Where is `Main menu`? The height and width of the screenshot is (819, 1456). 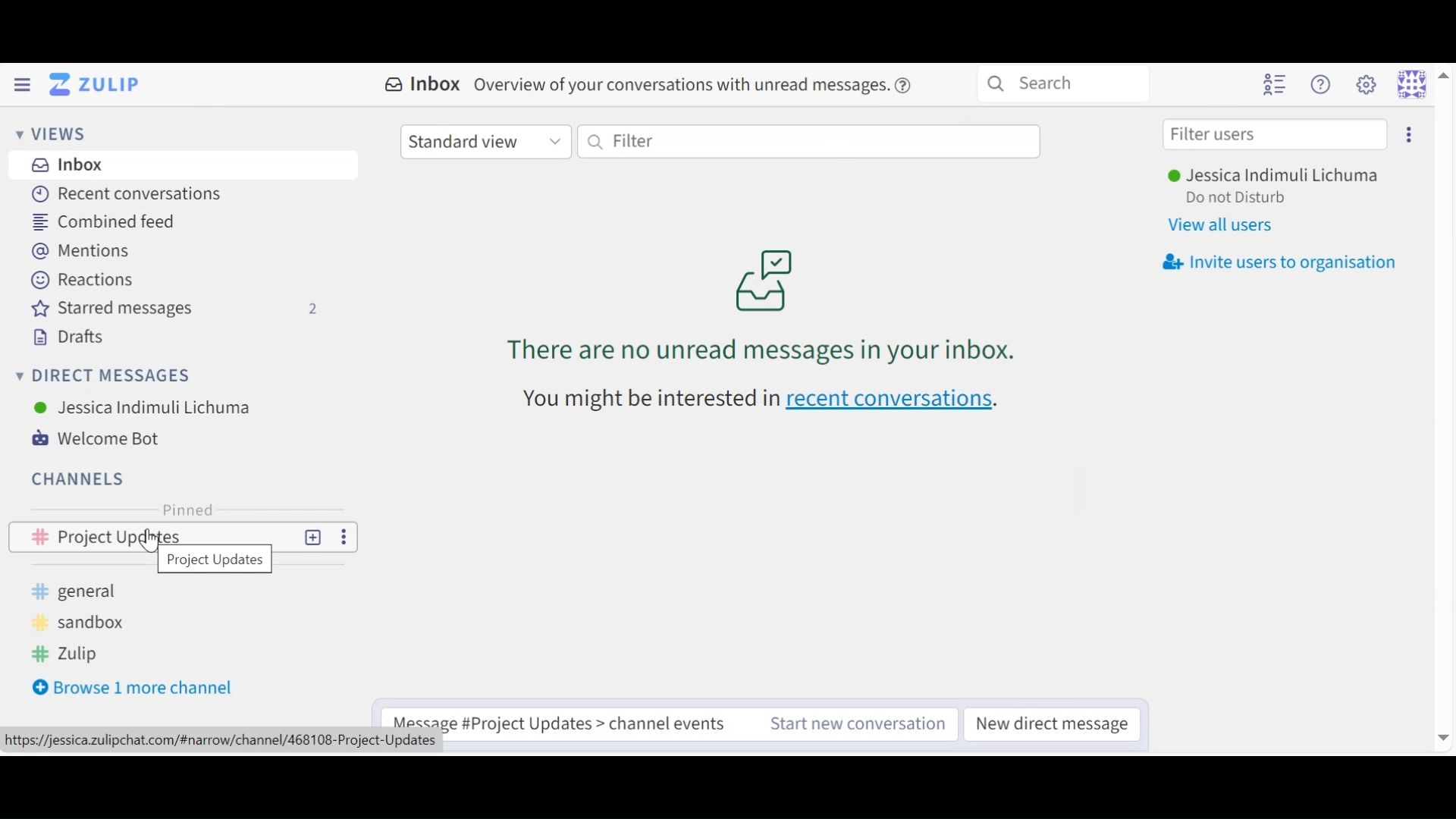
Main menu is located at coordinates (1368, 83).